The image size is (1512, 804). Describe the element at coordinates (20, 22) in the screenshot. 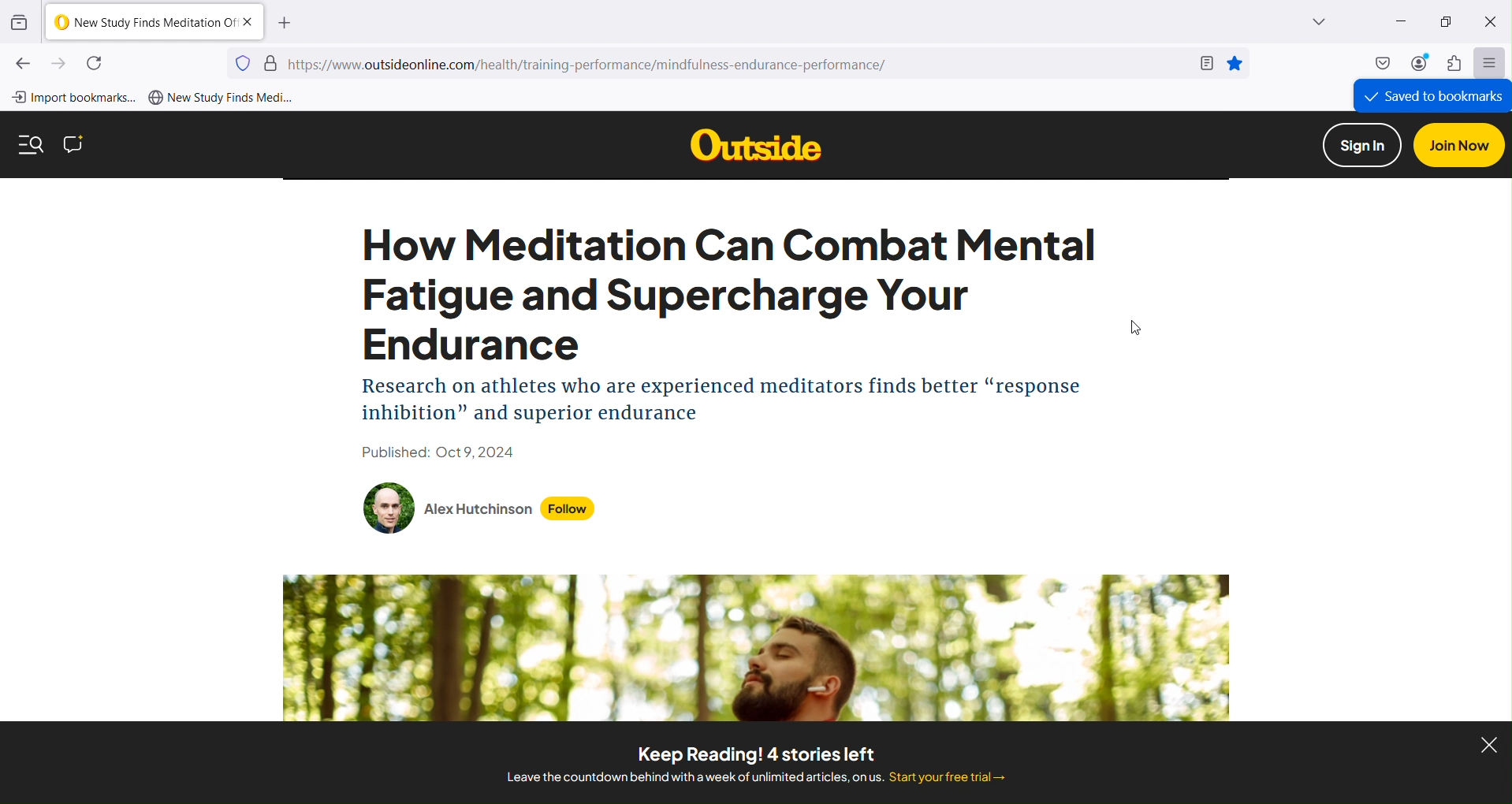

I see `View recent browsing across windows and devices` at that location.